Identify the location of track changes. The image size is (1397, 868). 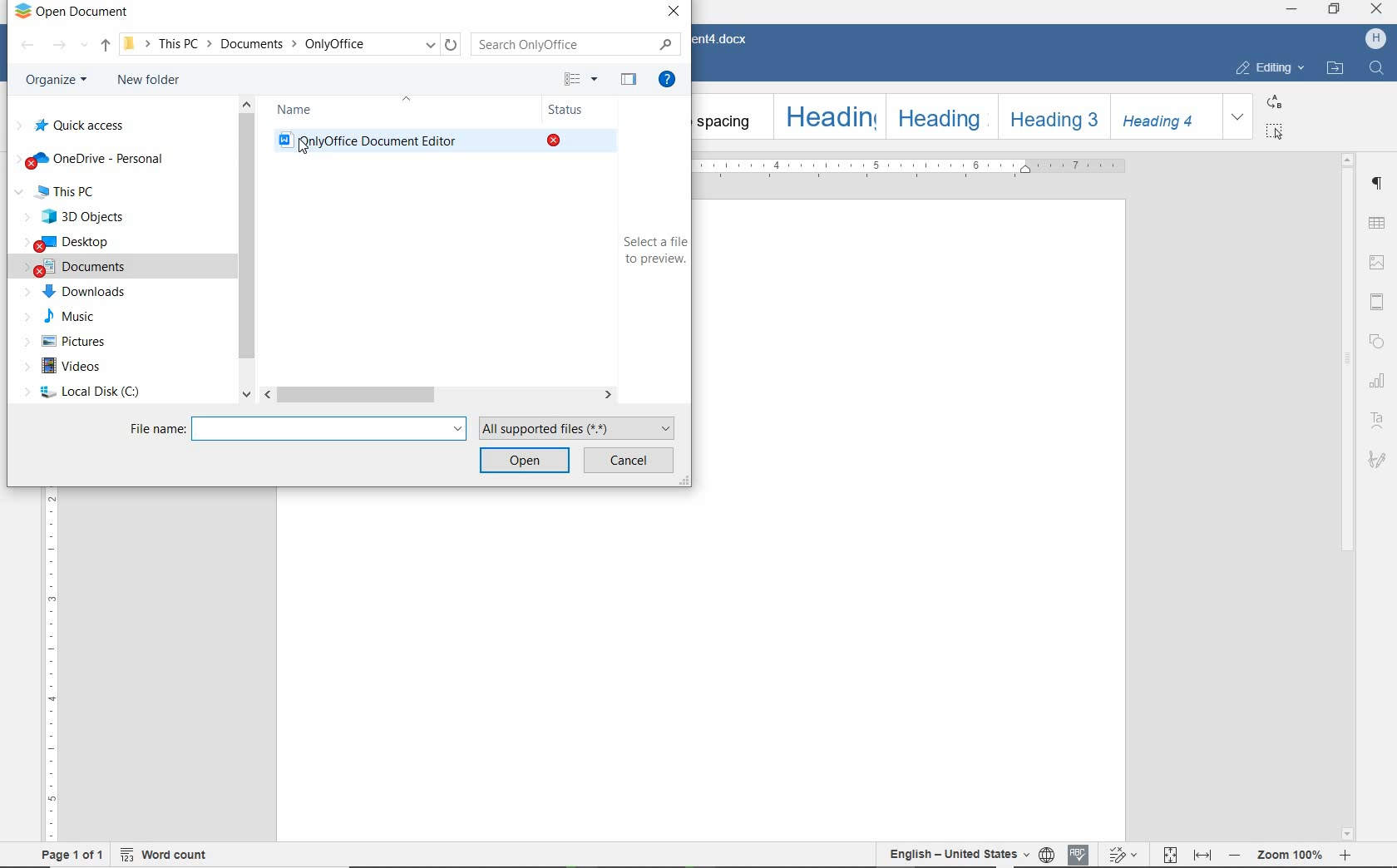
(1124, 854).